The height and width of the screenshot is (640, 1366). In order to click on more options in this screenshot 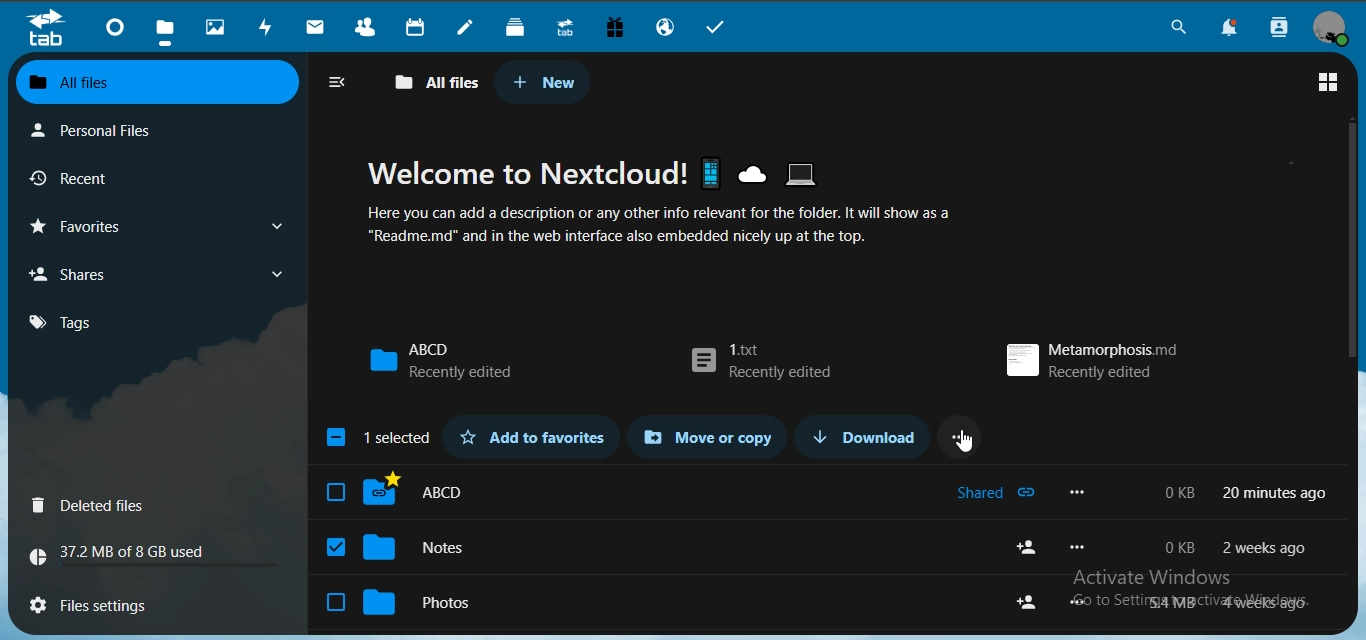, I will do `click(1075, 491)`.